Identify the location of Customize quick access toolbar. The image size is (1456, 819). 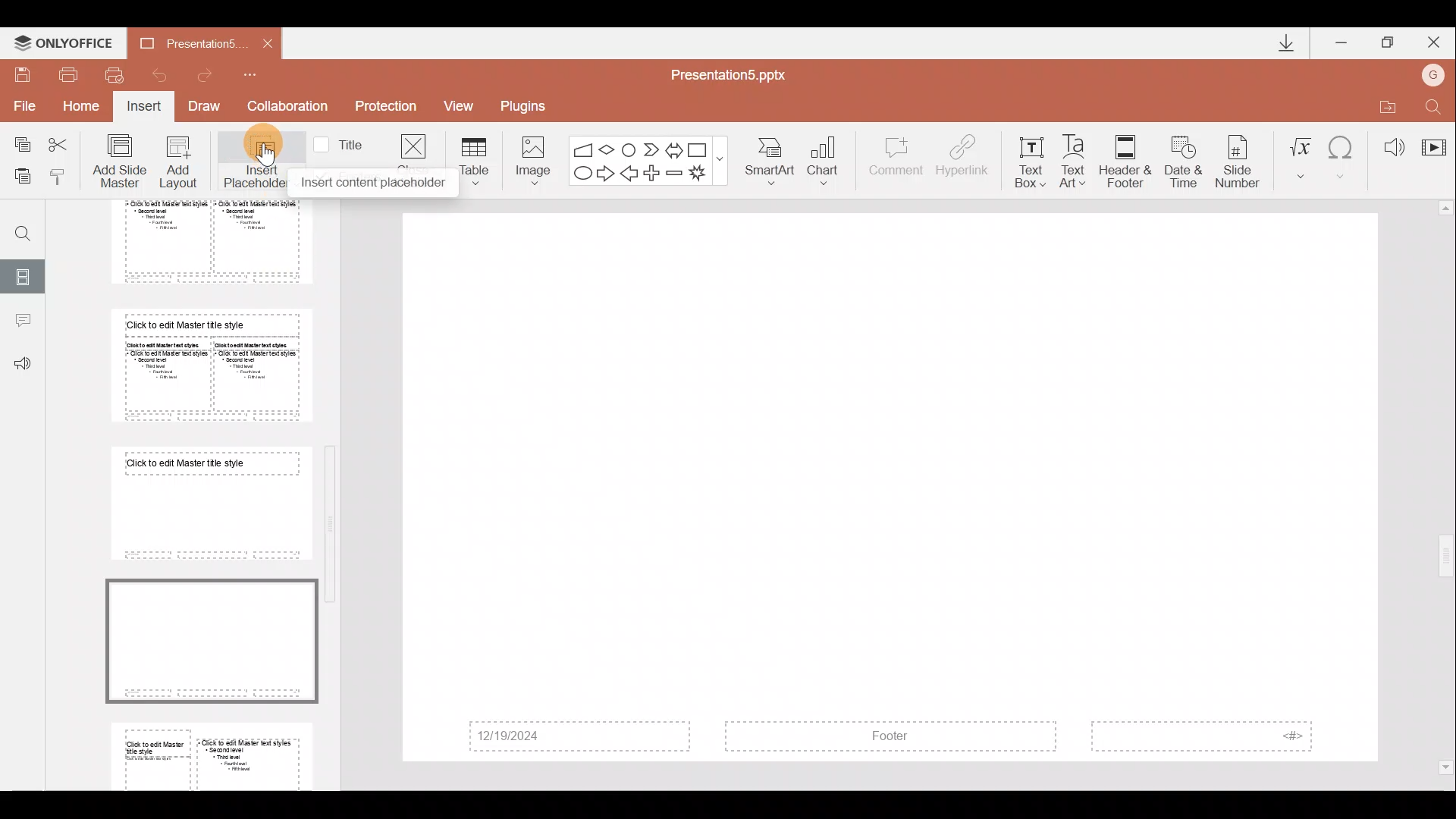
(260, 74).